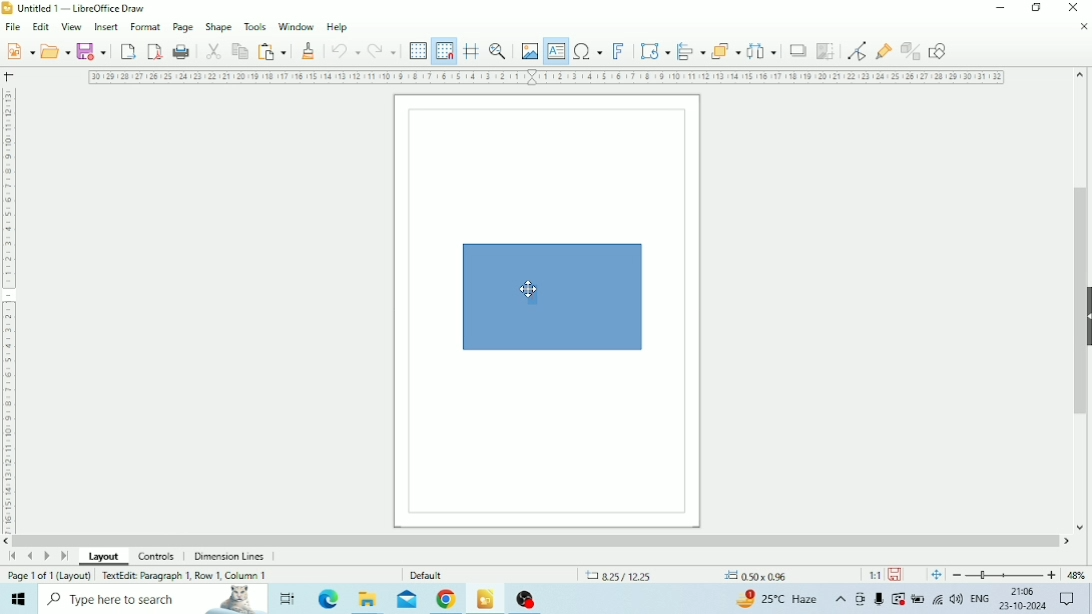  Describe the element at coordinates (338, 28) in the screenshot. I see `Help` at that location.